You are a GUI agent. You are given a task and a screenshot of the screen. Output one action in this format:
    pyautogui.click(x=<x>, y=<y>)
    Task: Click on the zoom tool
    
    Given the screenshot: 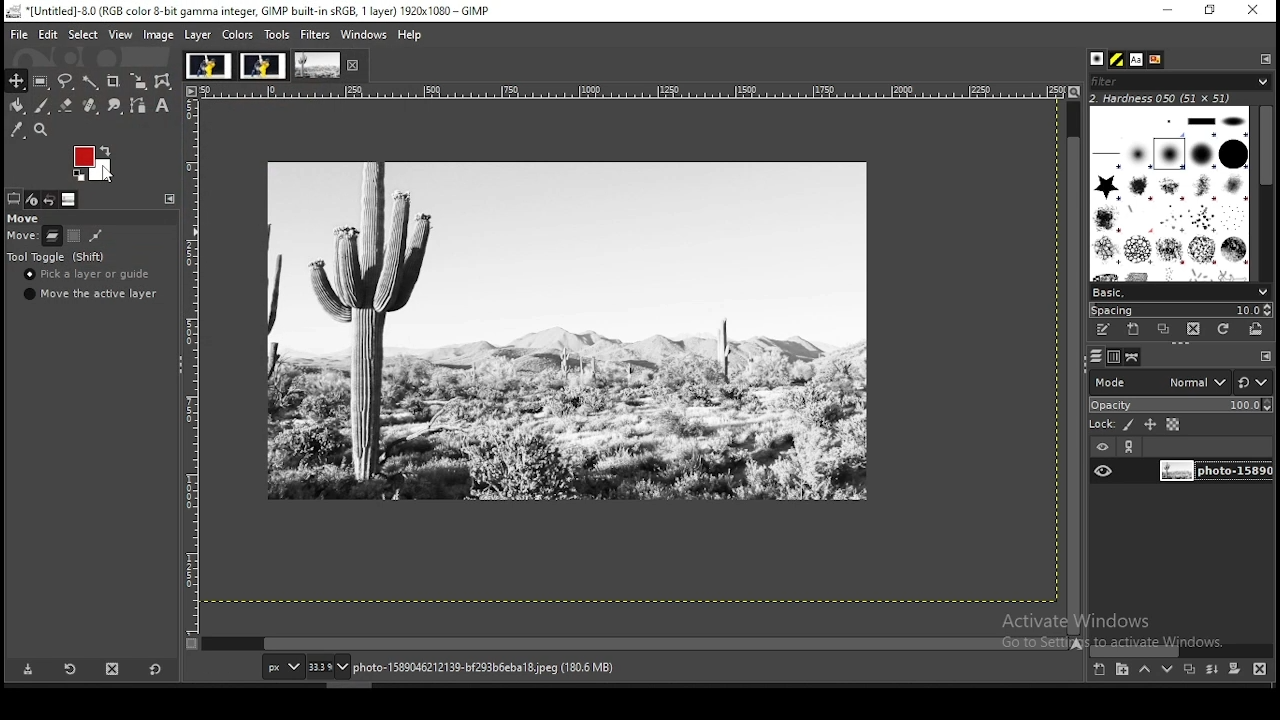 What is the action you would take?
    pyautogui.click(x=40, y=130)
    